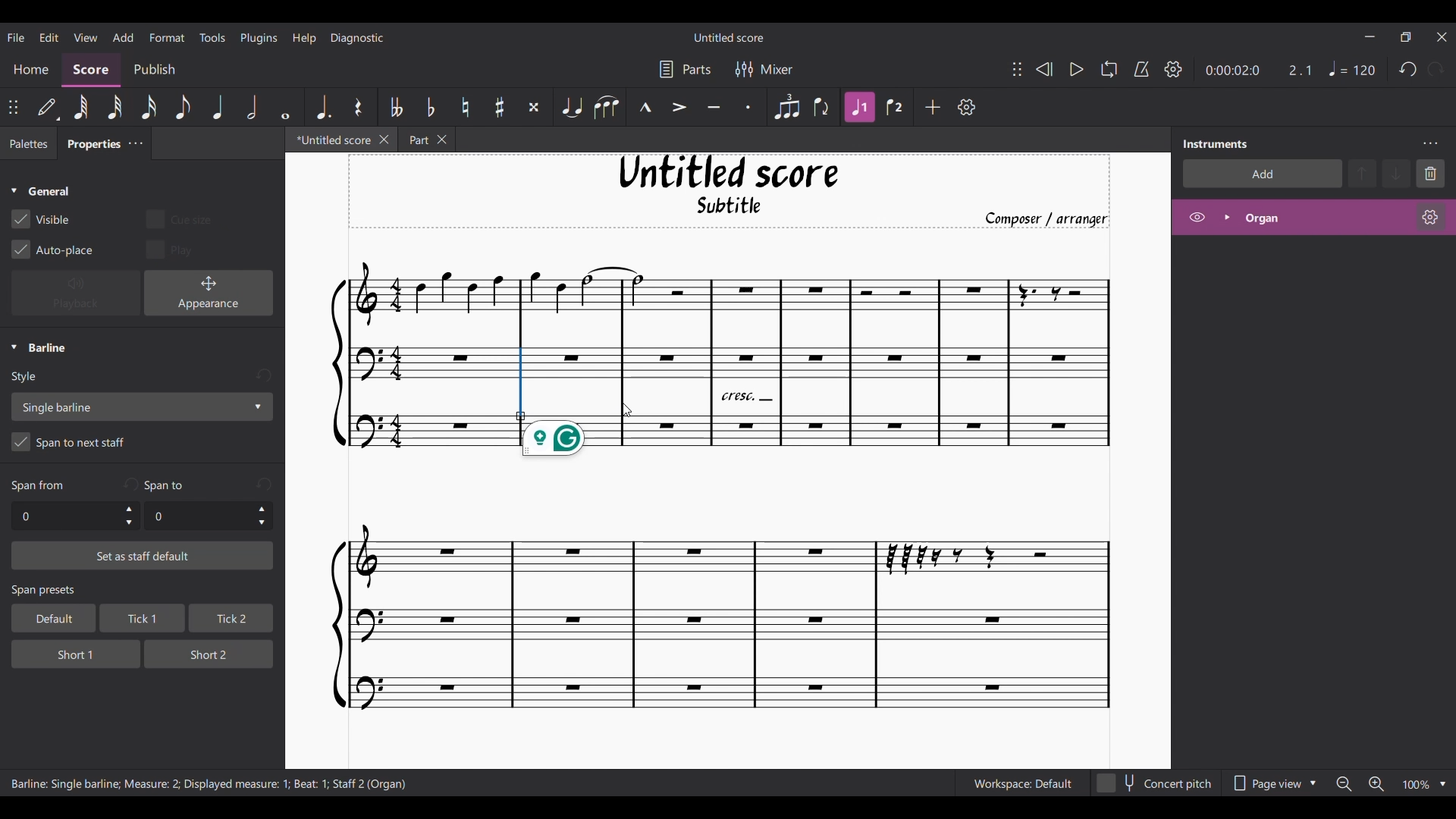 The height and width of the screenshot is (819, 1456). What do you see at coordinates (91, 68) in the screenshot?
I see `Score section` at bounding box center [91, 68].